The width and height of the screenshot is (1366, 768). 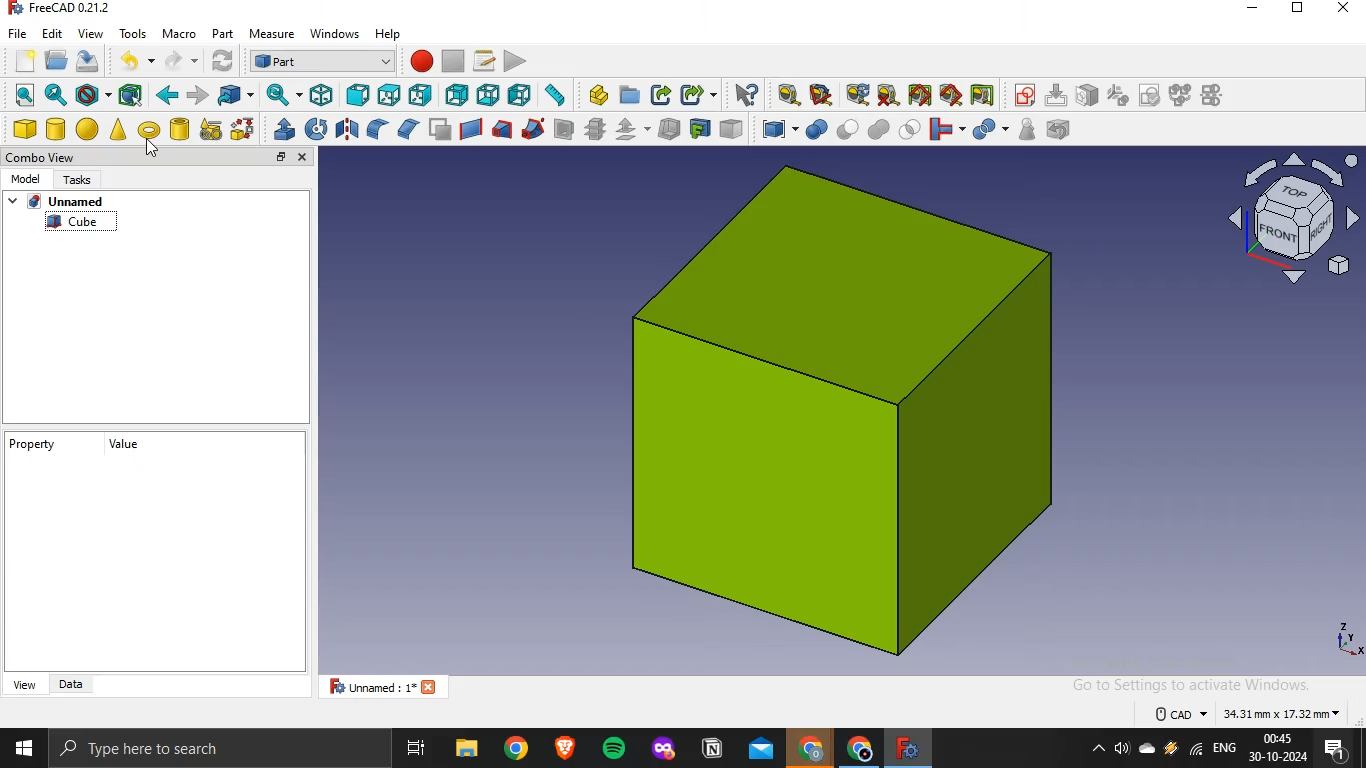 I want to click on wifi, so click(x=1197, y=749).